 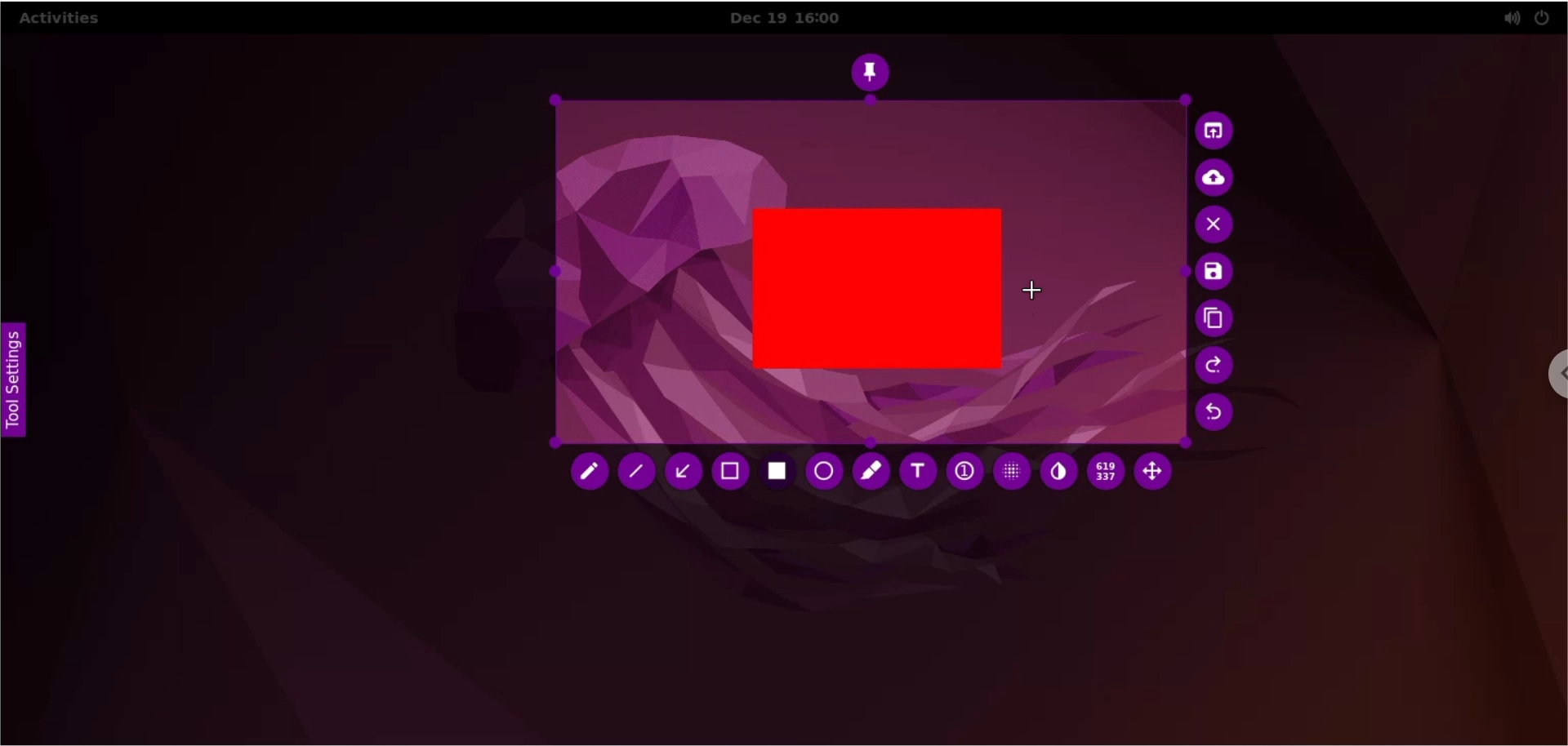 I want to click on retangle tool, so click(x=732, y=473).